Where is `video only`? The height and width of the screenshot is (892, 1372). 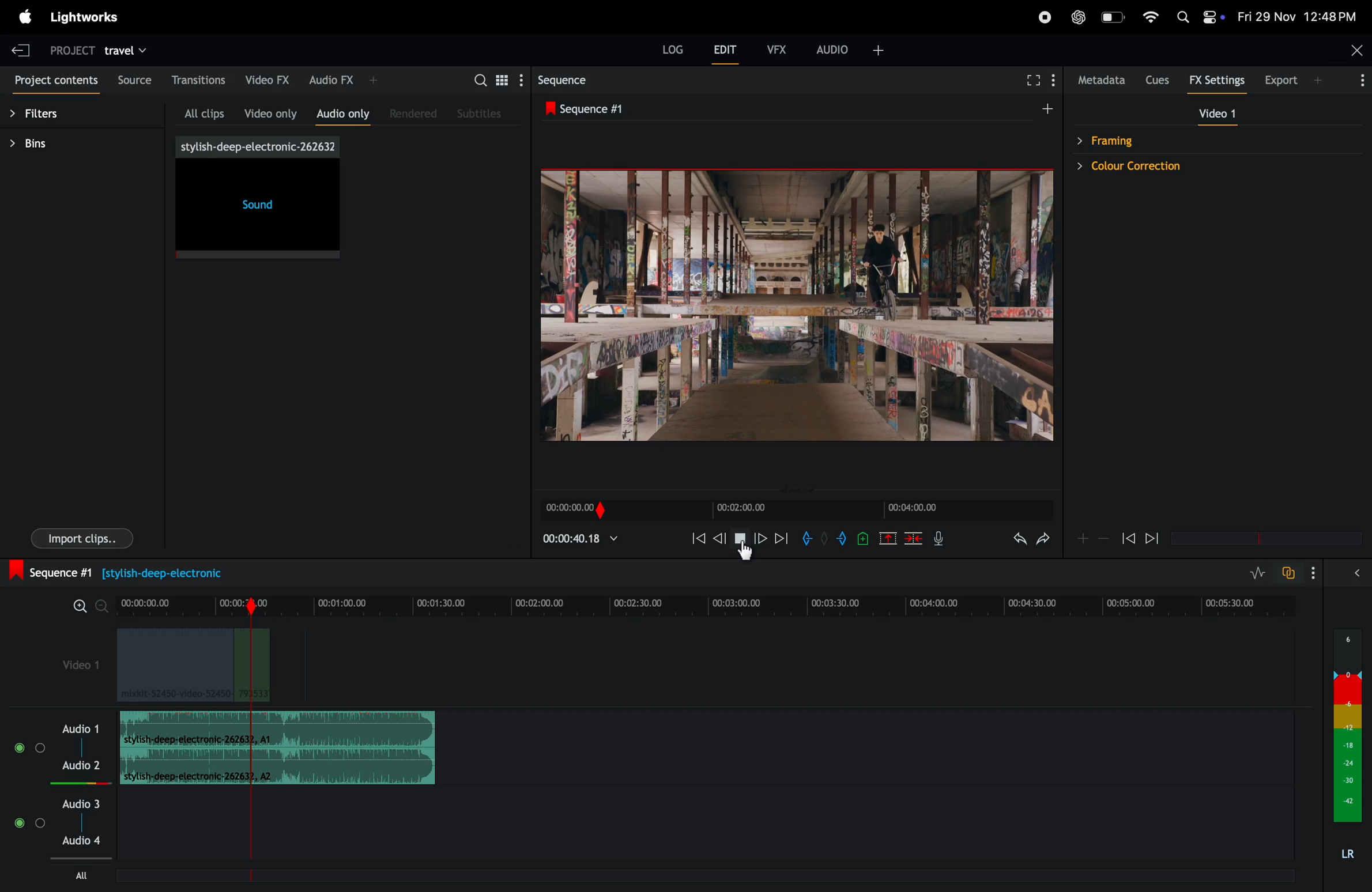
video only is located at coordinates (270, 111).